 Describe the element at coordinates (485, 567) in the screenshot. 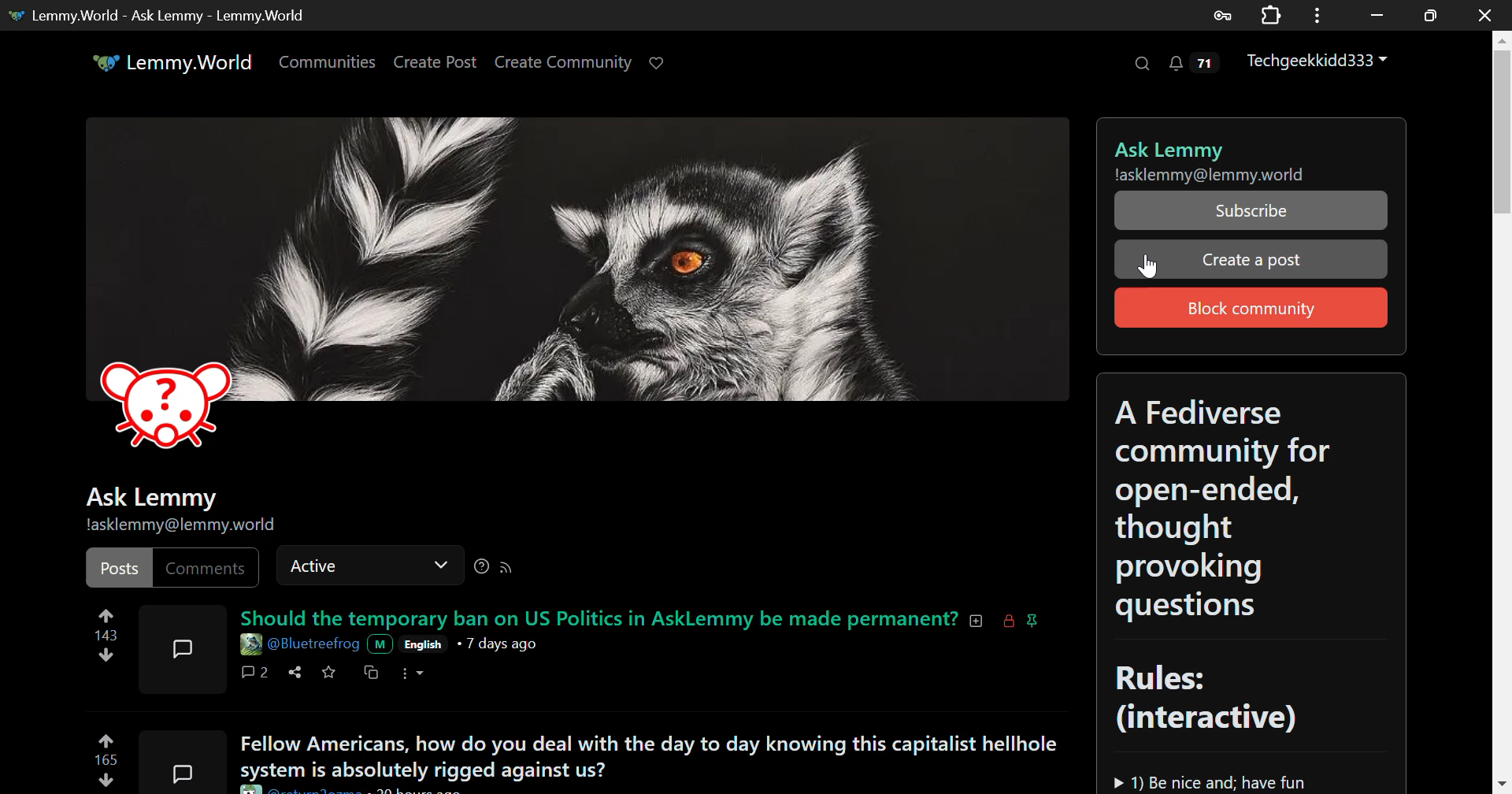

I see `Sorting Help` at that location.